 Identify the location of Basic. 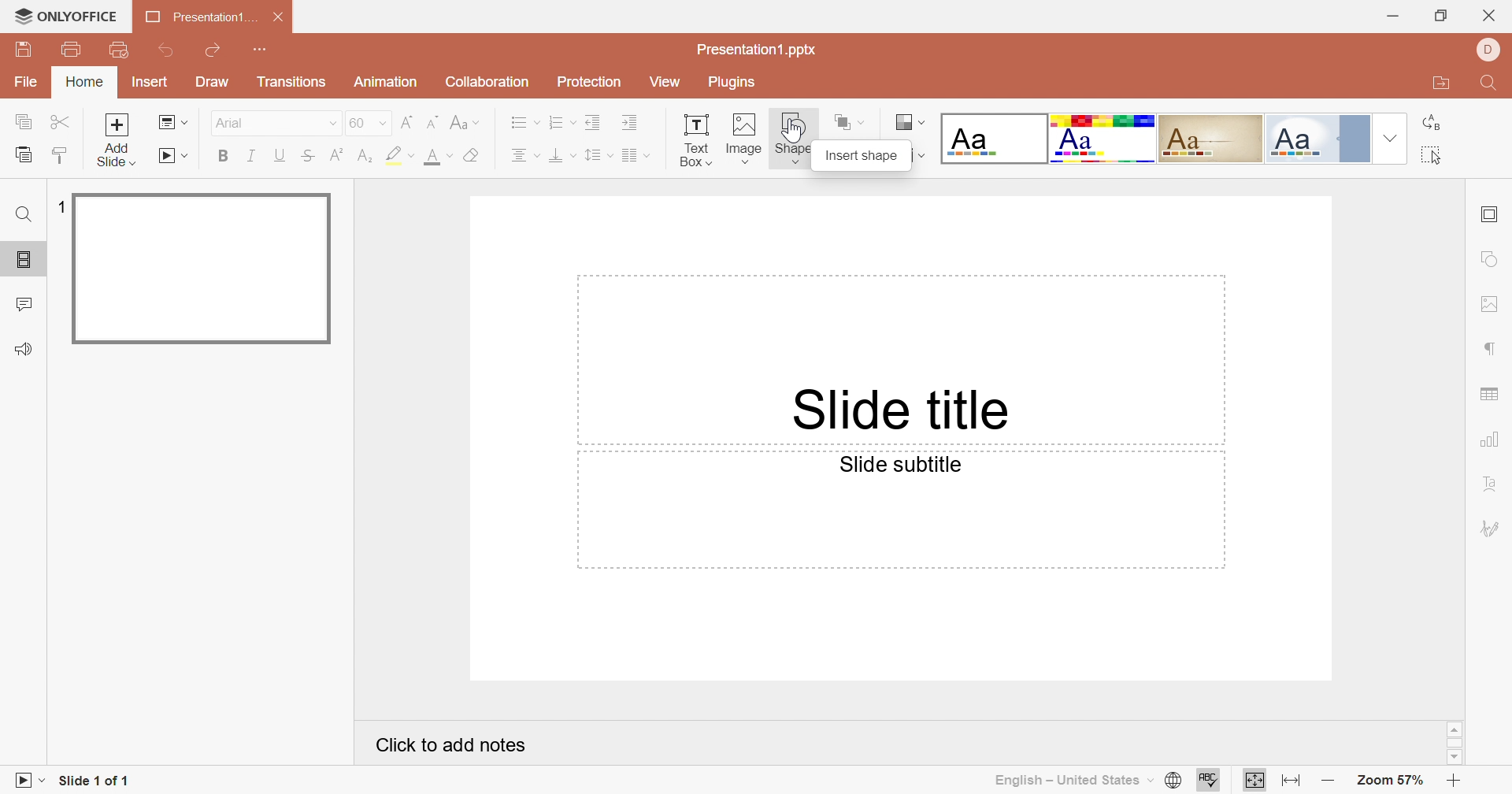
(1105, 141).